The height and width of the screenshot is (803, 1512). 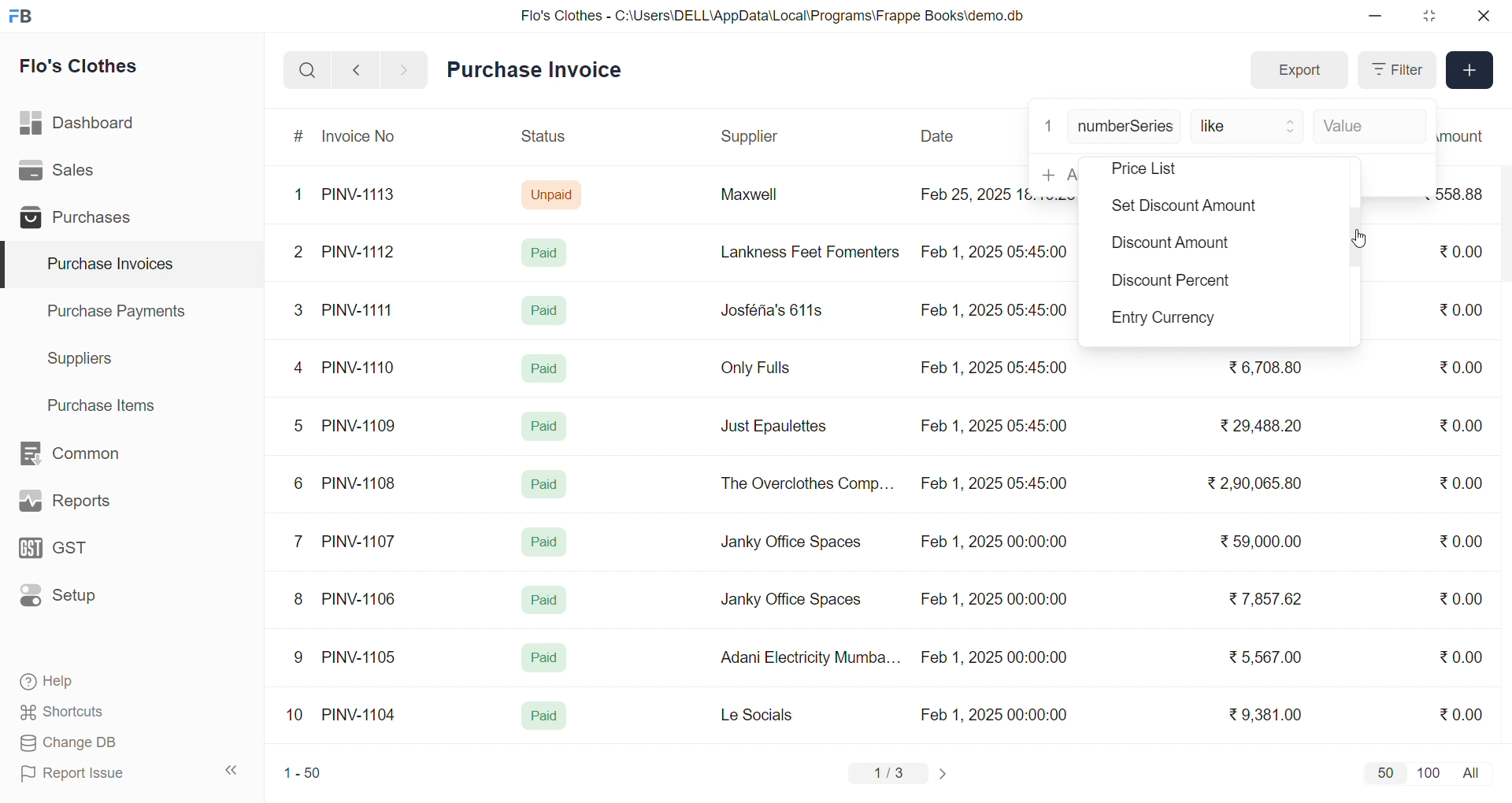 I want to click on 7, so click(x=302, y=540).